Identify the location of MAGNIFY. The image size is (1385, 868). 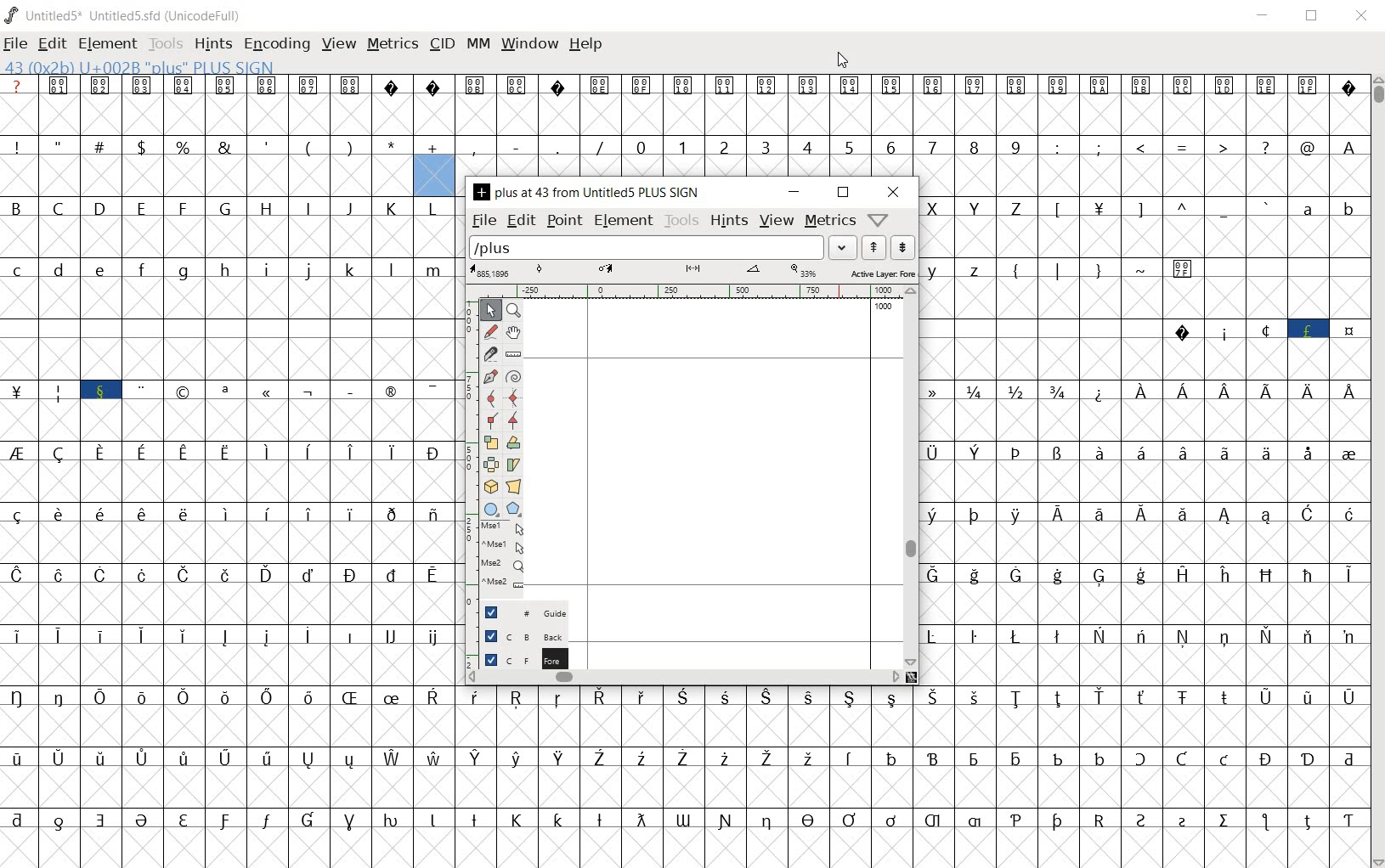
(514, 312).